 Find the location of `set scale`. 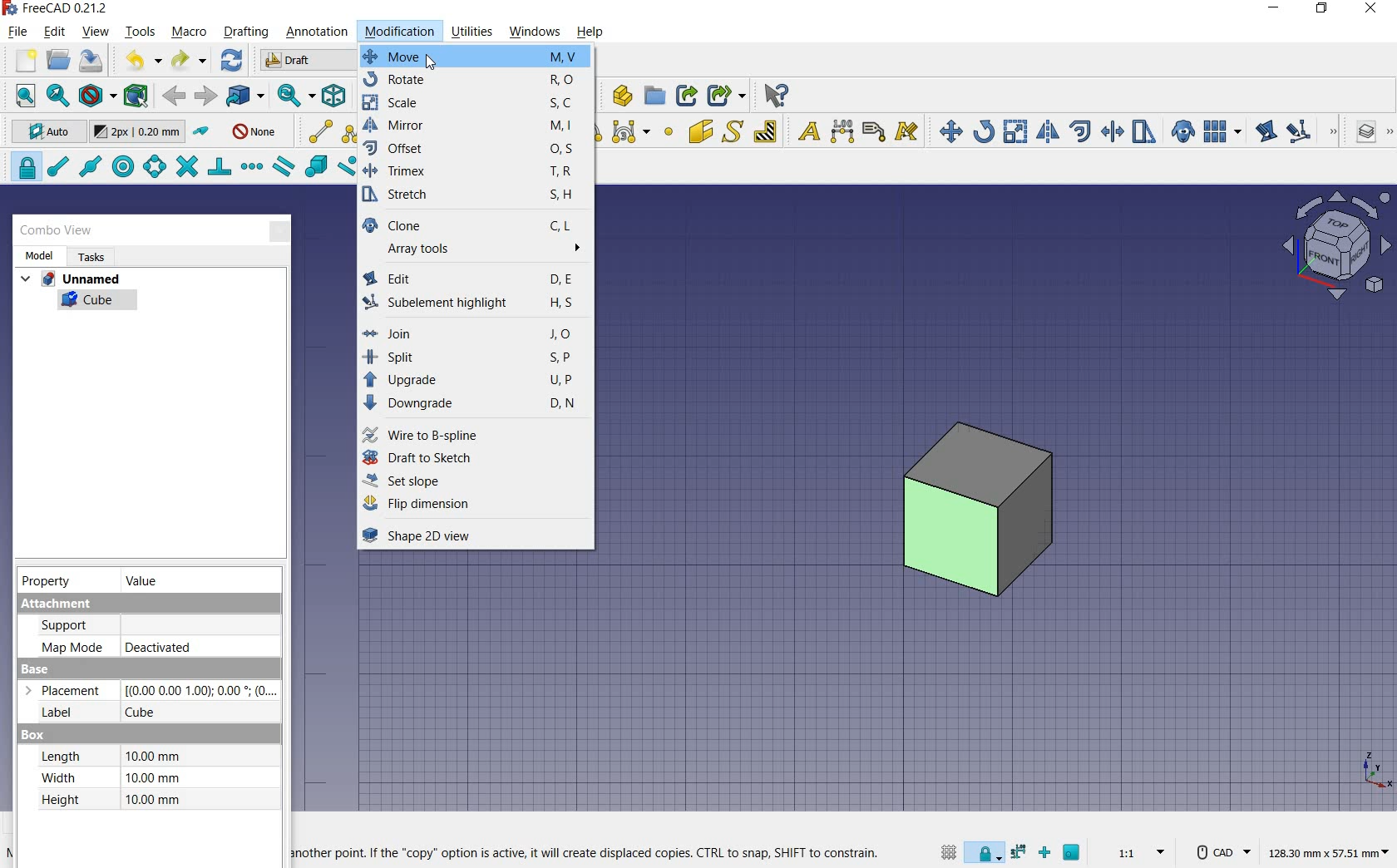

set scale is located at coordinates (1140, 852).